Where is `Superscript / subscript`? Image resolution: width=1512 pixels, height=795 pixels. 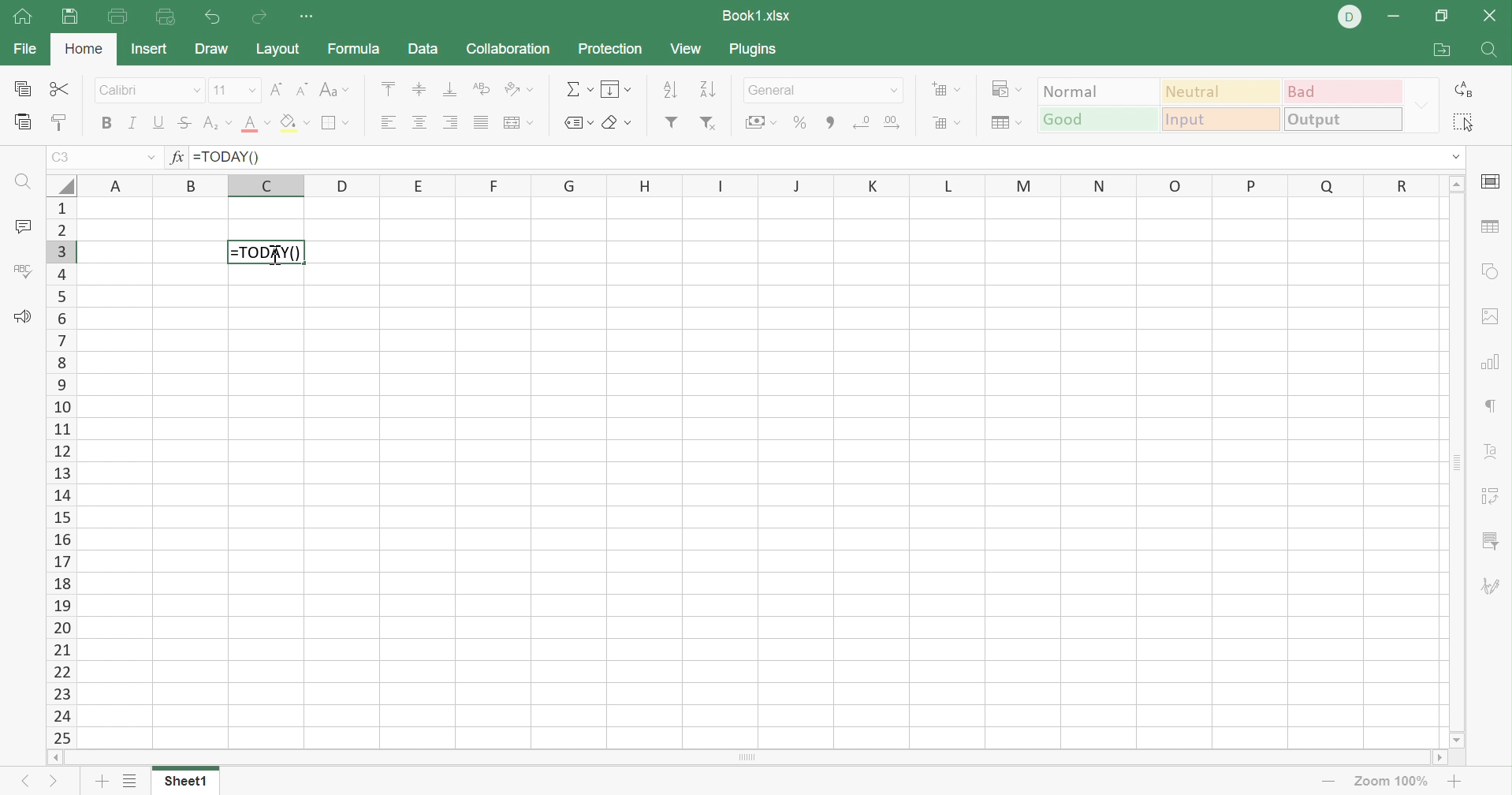
Superscript / subscript is located at coordinates (219, 124).